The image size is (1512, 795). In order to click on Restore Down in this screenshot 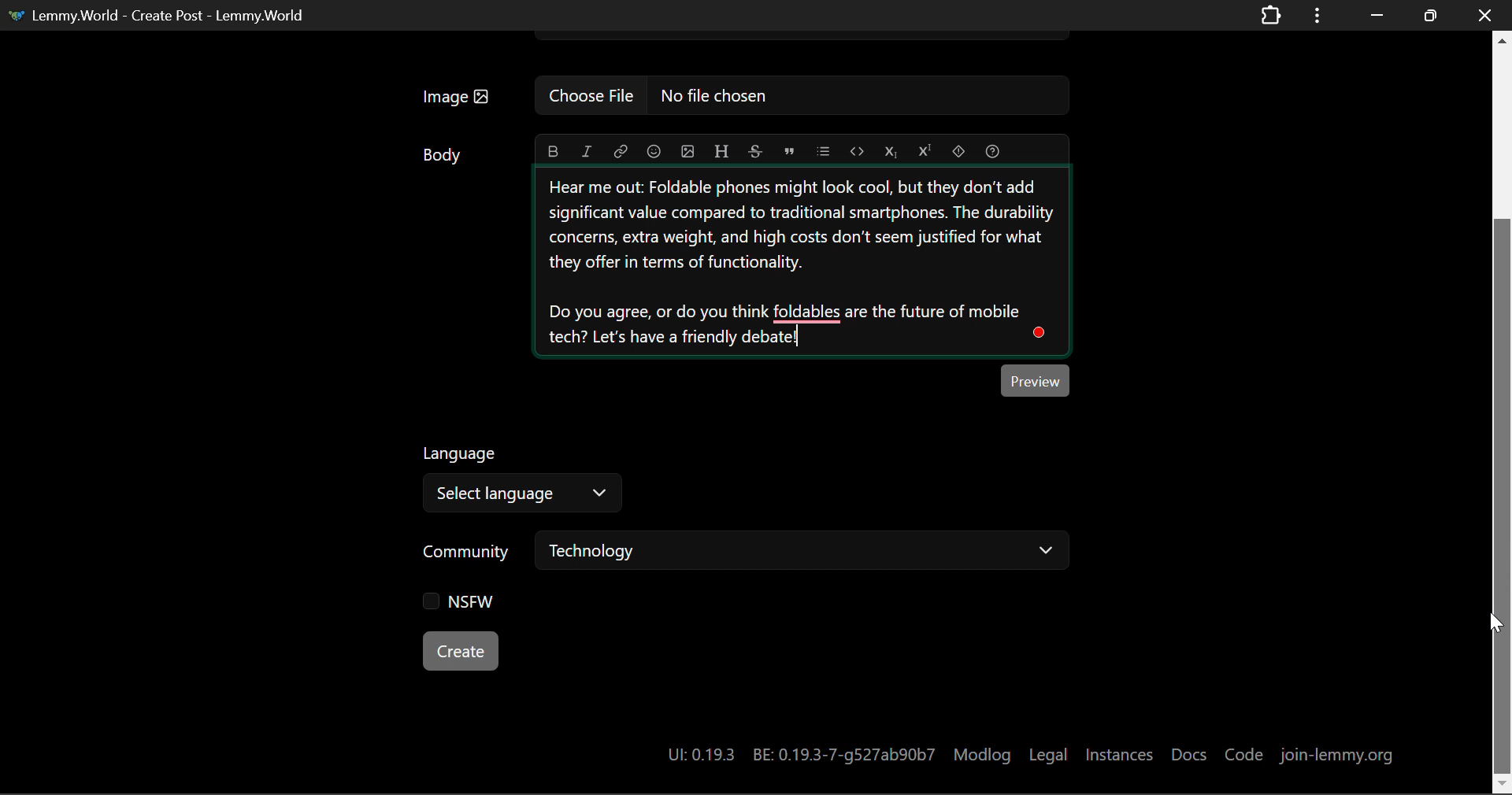, I will do `click(1374, 15)`.